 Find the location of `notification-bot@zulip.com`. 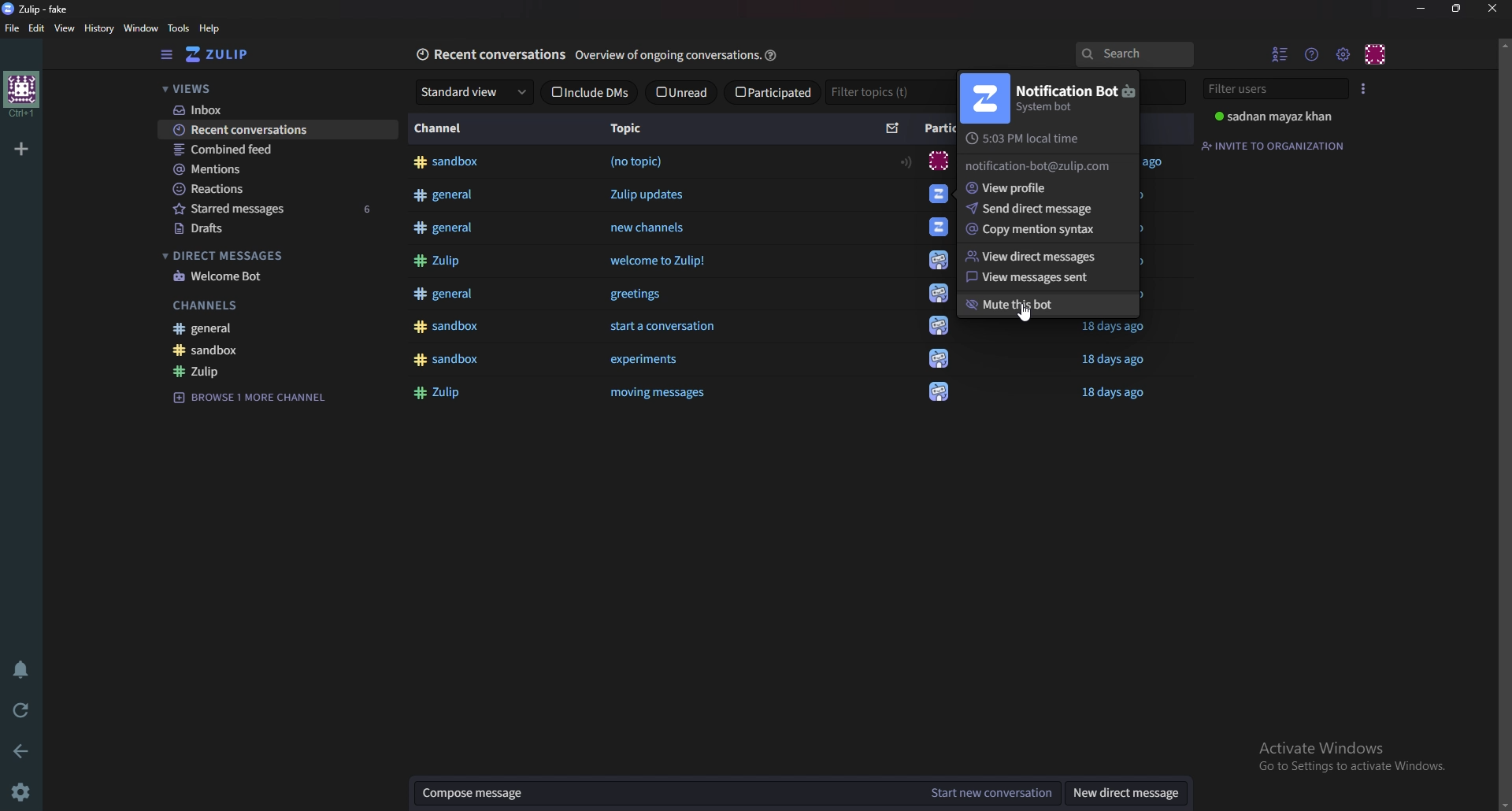

notification-bot@zulip.com is located at coordinates (1039, 167).